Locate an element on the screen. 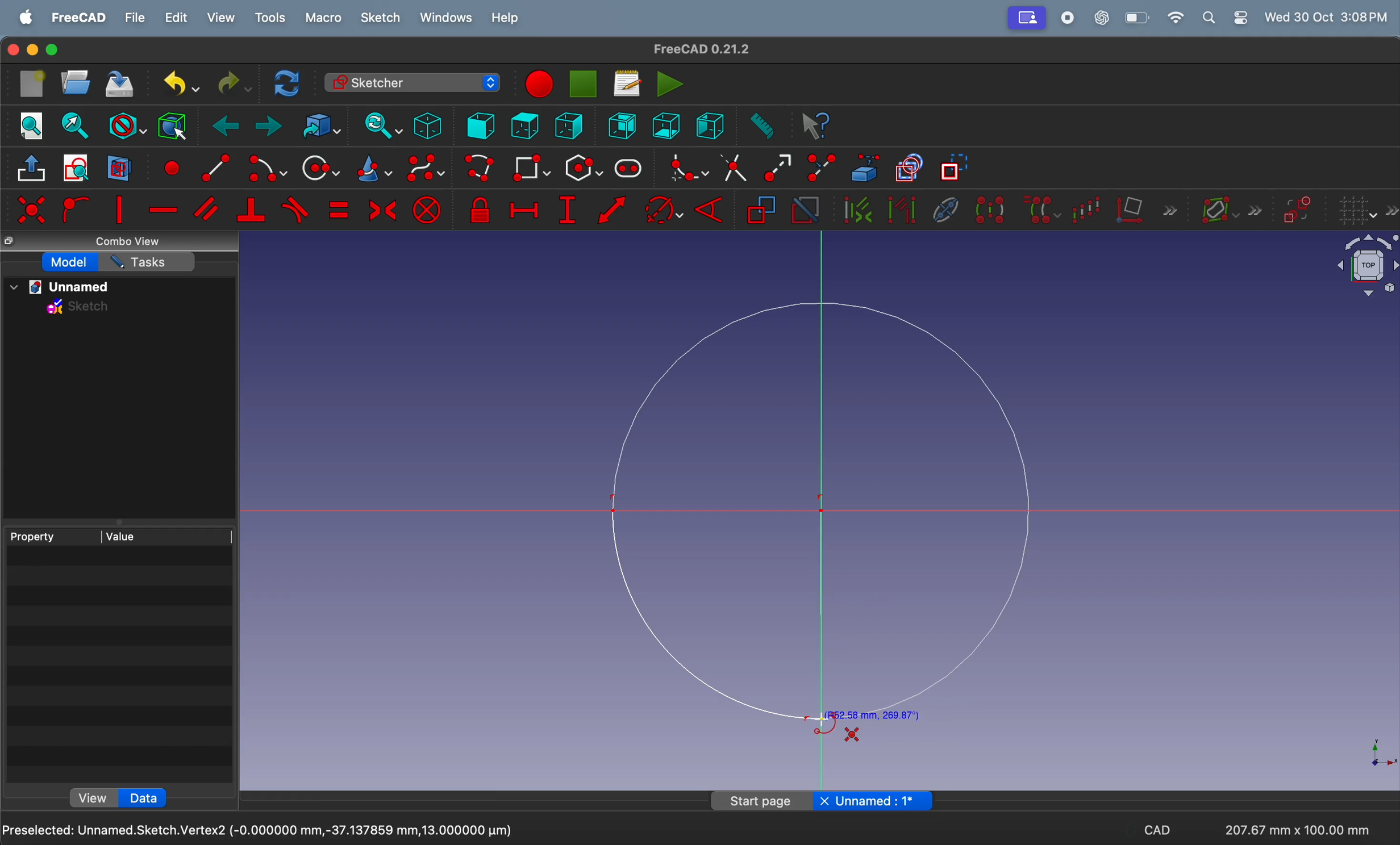  unnamed is located at coordinates (65, 287).